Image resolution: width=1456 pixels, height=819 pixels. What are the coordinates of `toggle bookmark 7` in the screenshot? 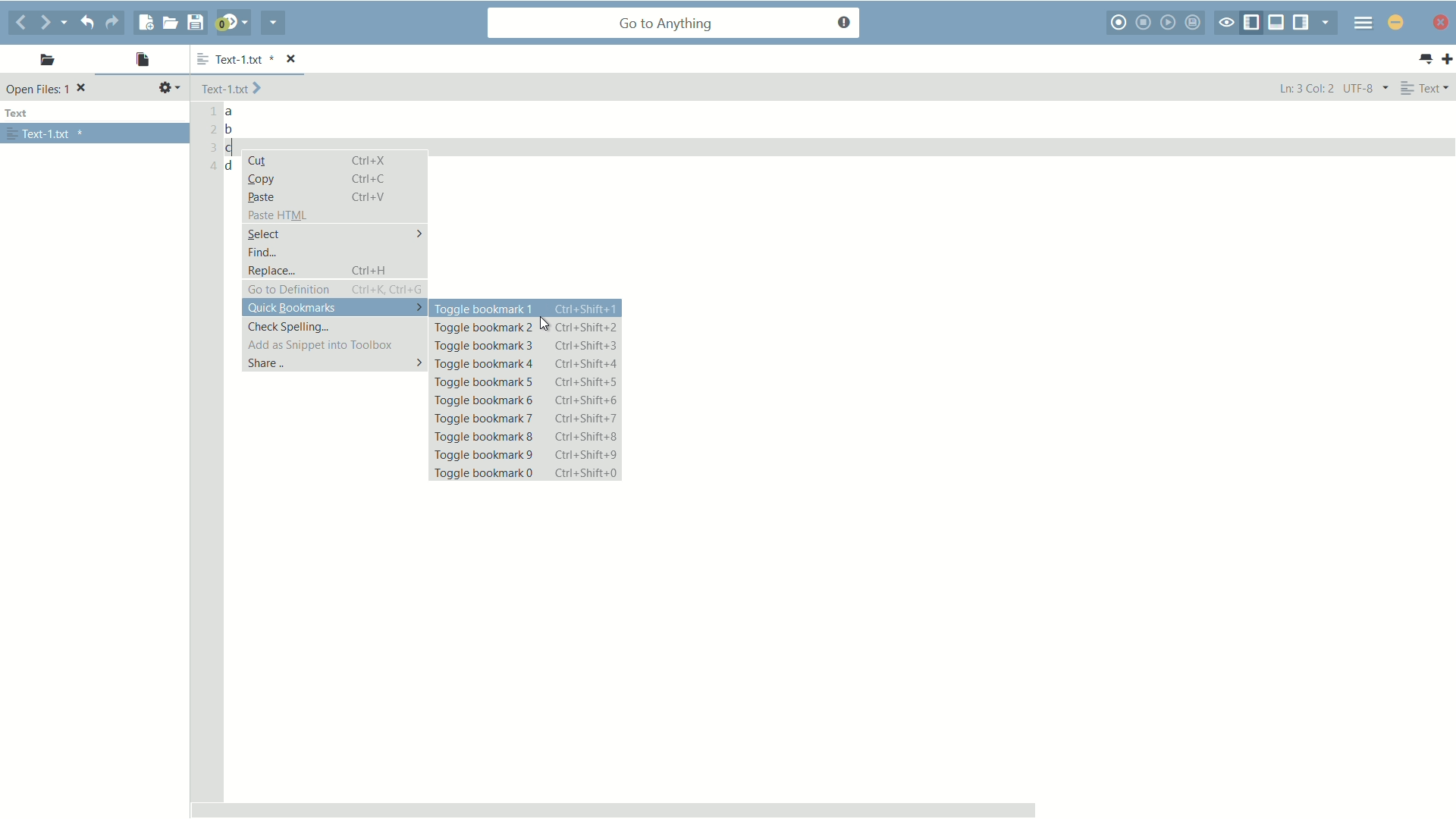 It's located at (529, 419).